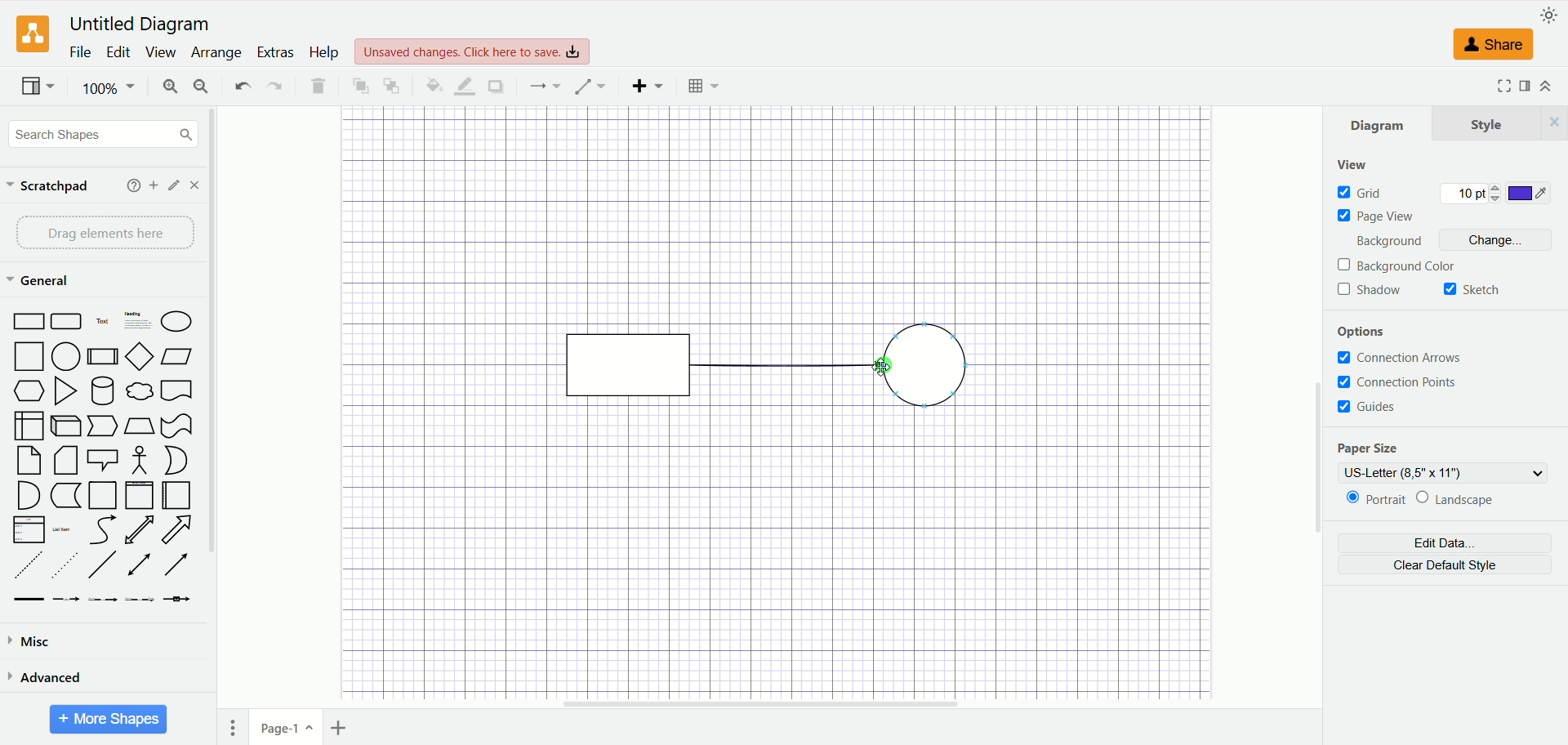 This screenshot has width=1568, height=745. What do you see at coordinates (141, 603) in the screenshot?
I see `Connector with 3 Labels` at bounding box center [141, 603].